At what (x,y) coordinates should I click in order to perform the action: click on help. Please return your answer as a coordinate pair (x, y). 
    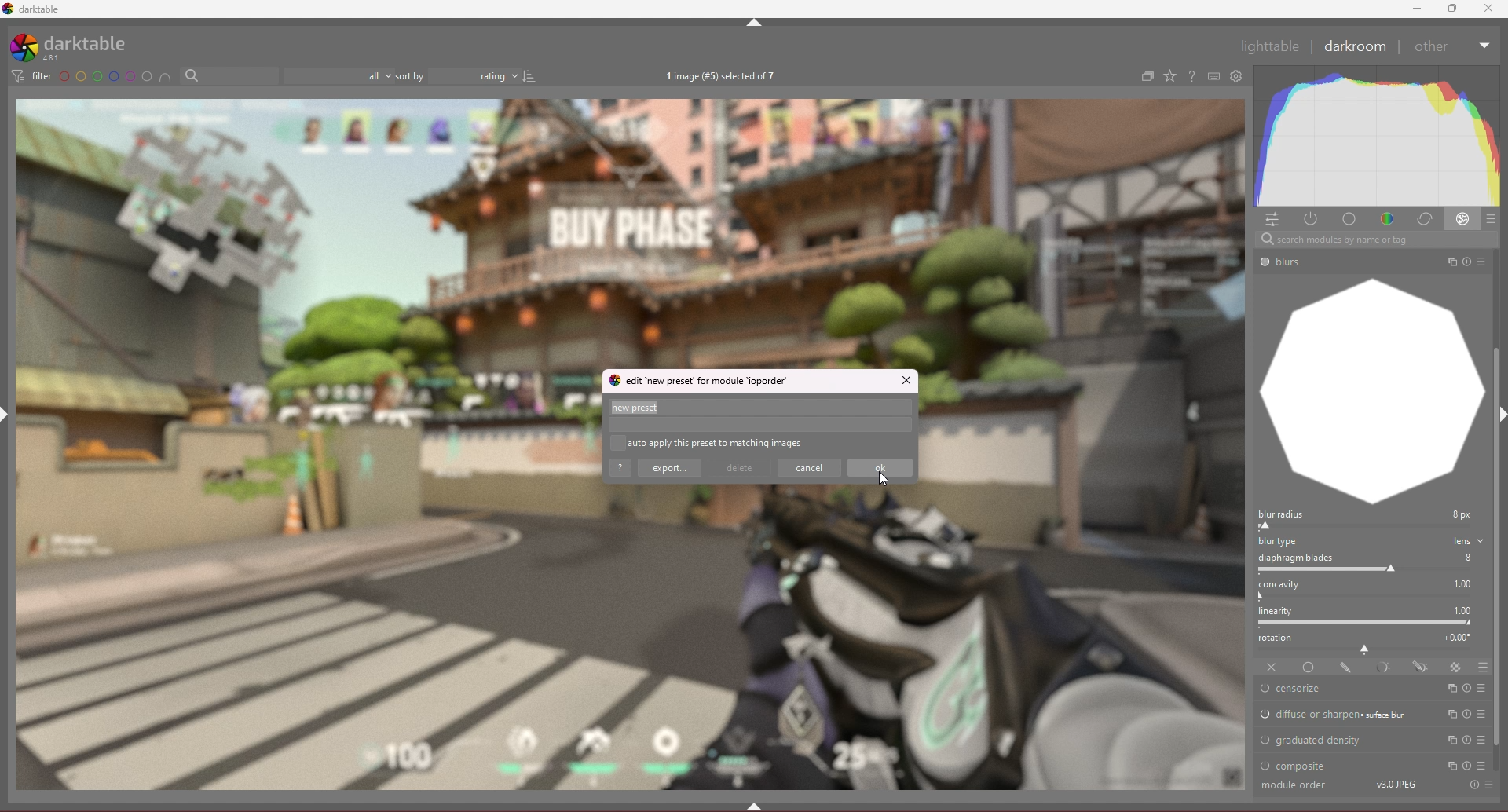
    Looking at the image, I should click on (1191, 76).